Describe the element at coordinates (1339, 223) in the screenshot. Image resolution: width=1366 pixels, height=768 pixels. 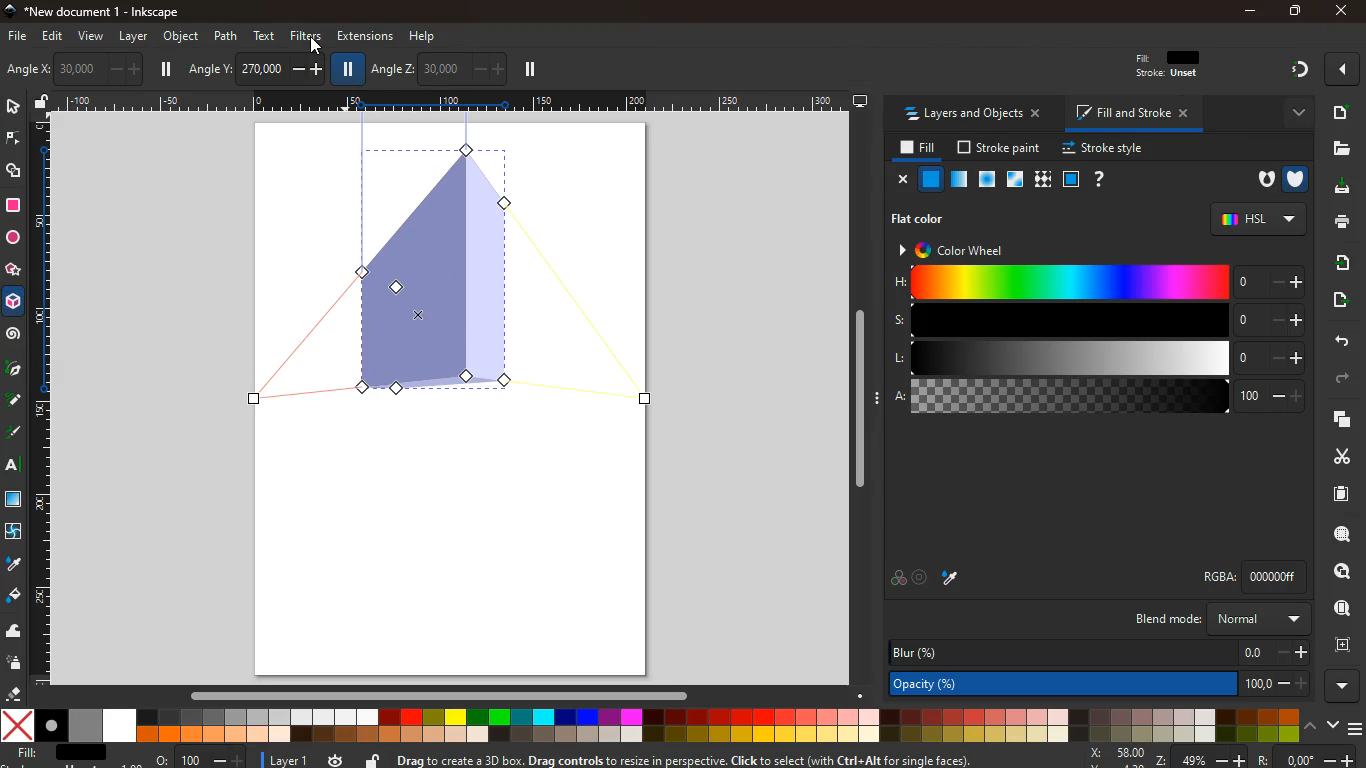
I see `print` at that location.